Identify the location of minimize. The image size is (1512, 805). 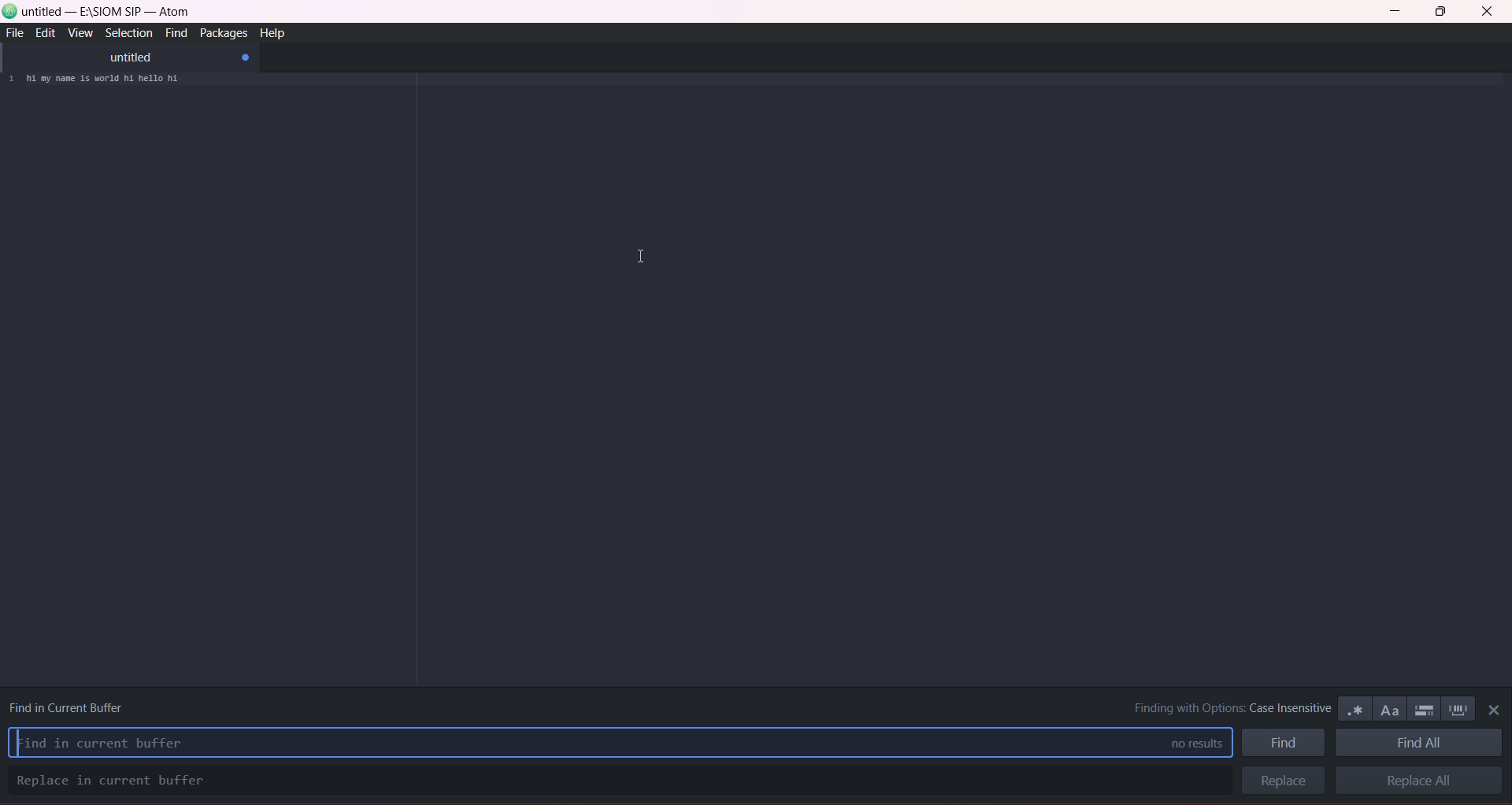
(1399, 13).